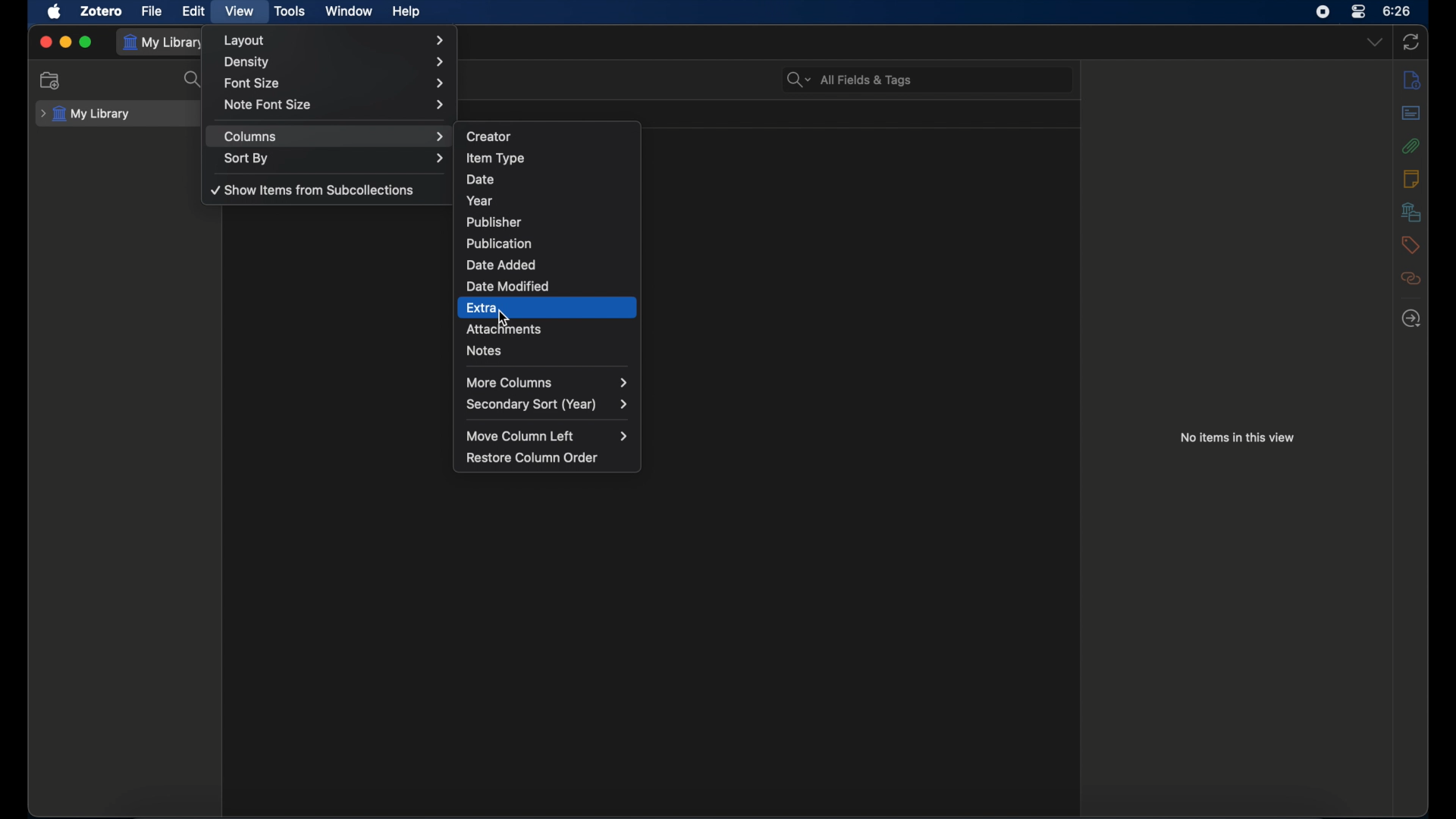  What do you see at coordinates (547, 264) in the screenshot?
I see `date added` at bounding box center [547, 264].